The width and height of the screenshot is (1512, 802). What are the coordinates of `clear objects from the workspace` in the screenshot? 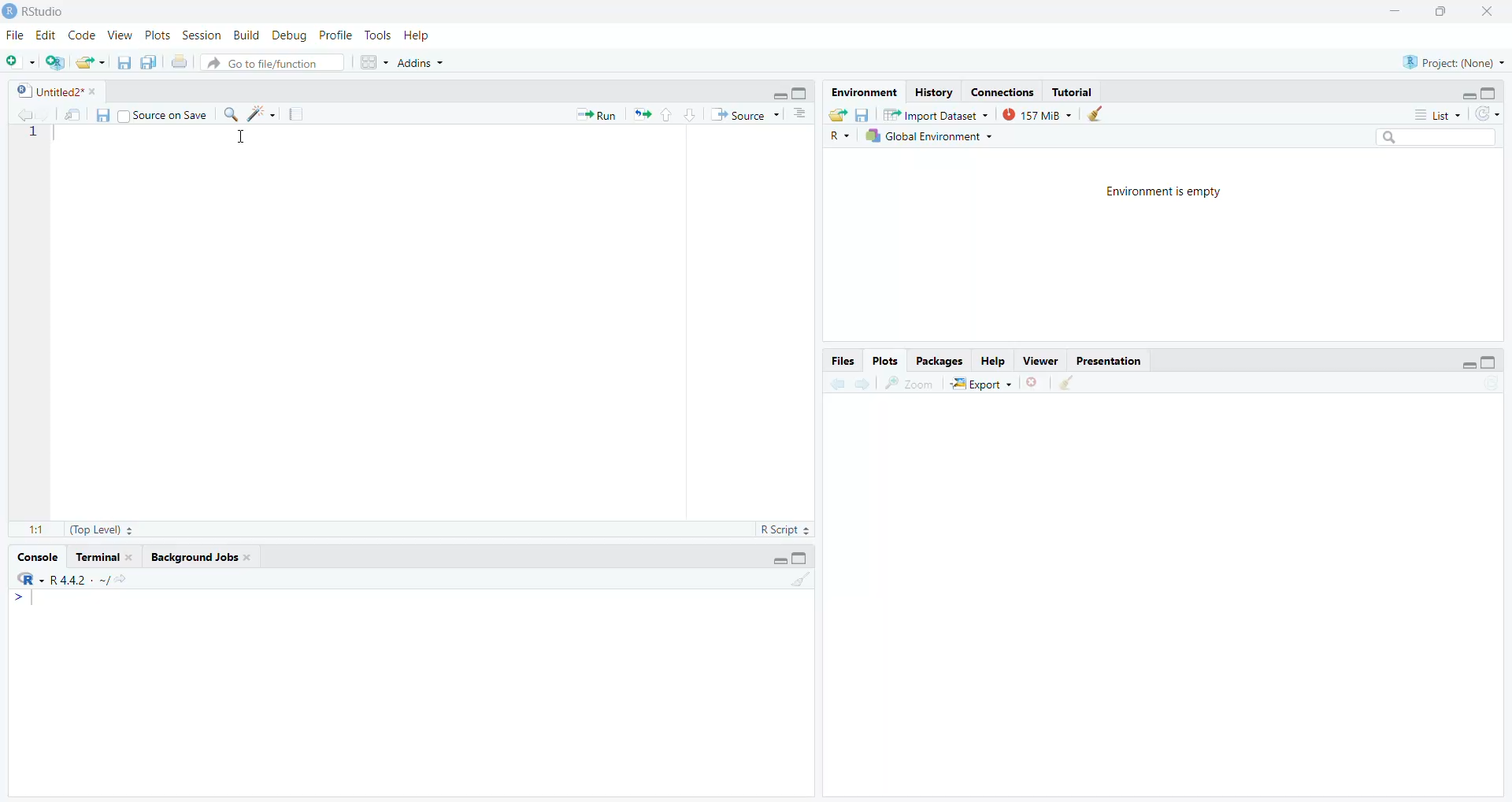 It's located at (1099, 114).